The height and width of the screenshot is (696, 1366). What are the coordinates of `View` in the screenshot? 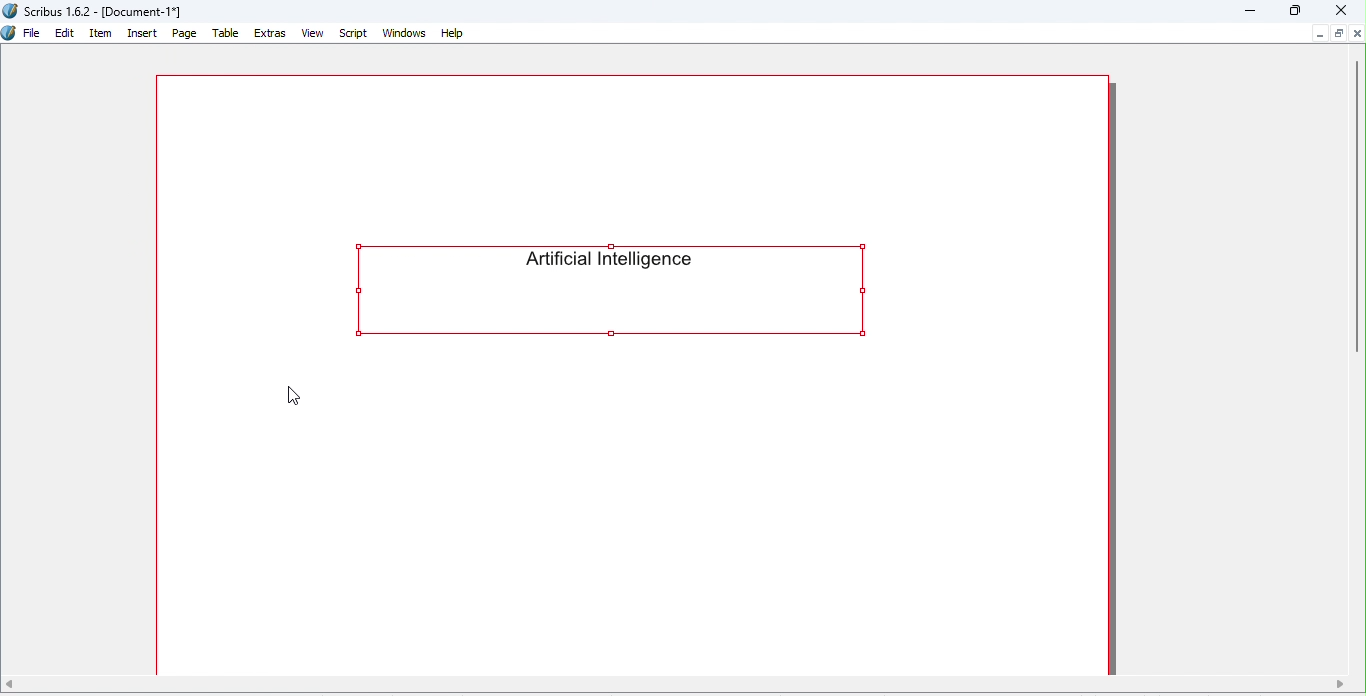 It's located at (315, 33).